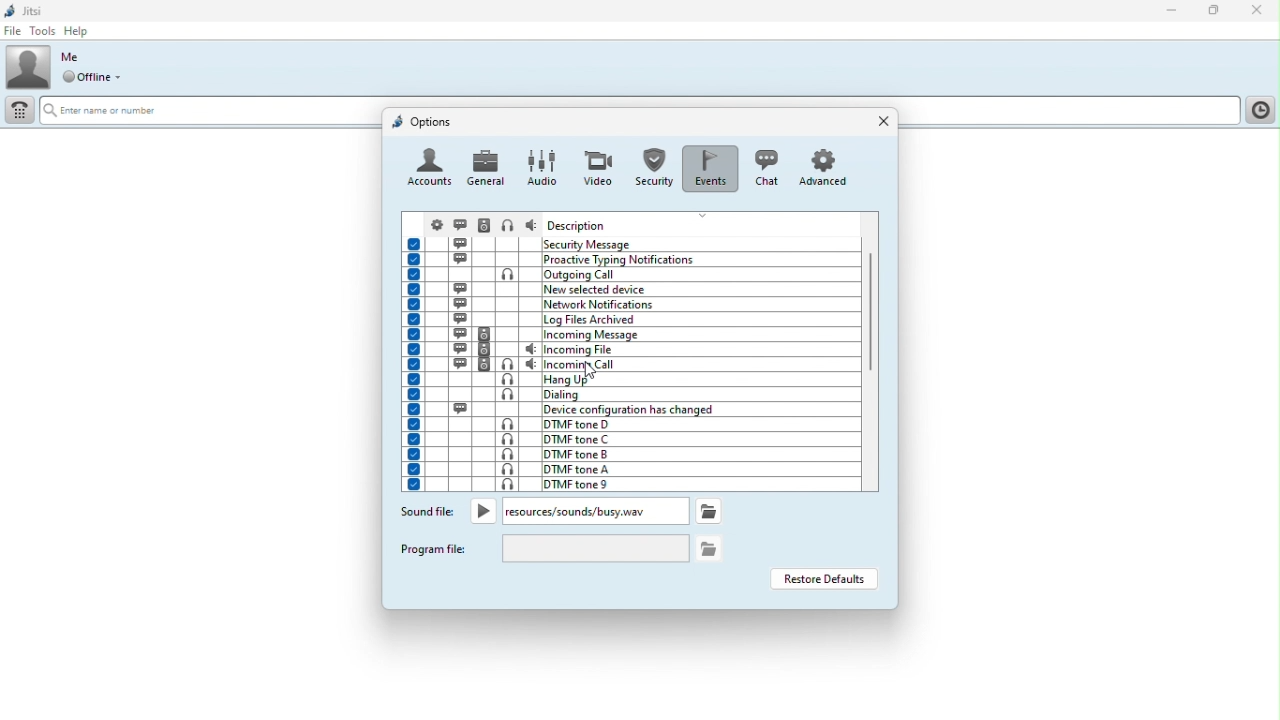 The height and width of the screenshot is (720, 1280). I want to click on DTMF tone B, so click(626, 454).